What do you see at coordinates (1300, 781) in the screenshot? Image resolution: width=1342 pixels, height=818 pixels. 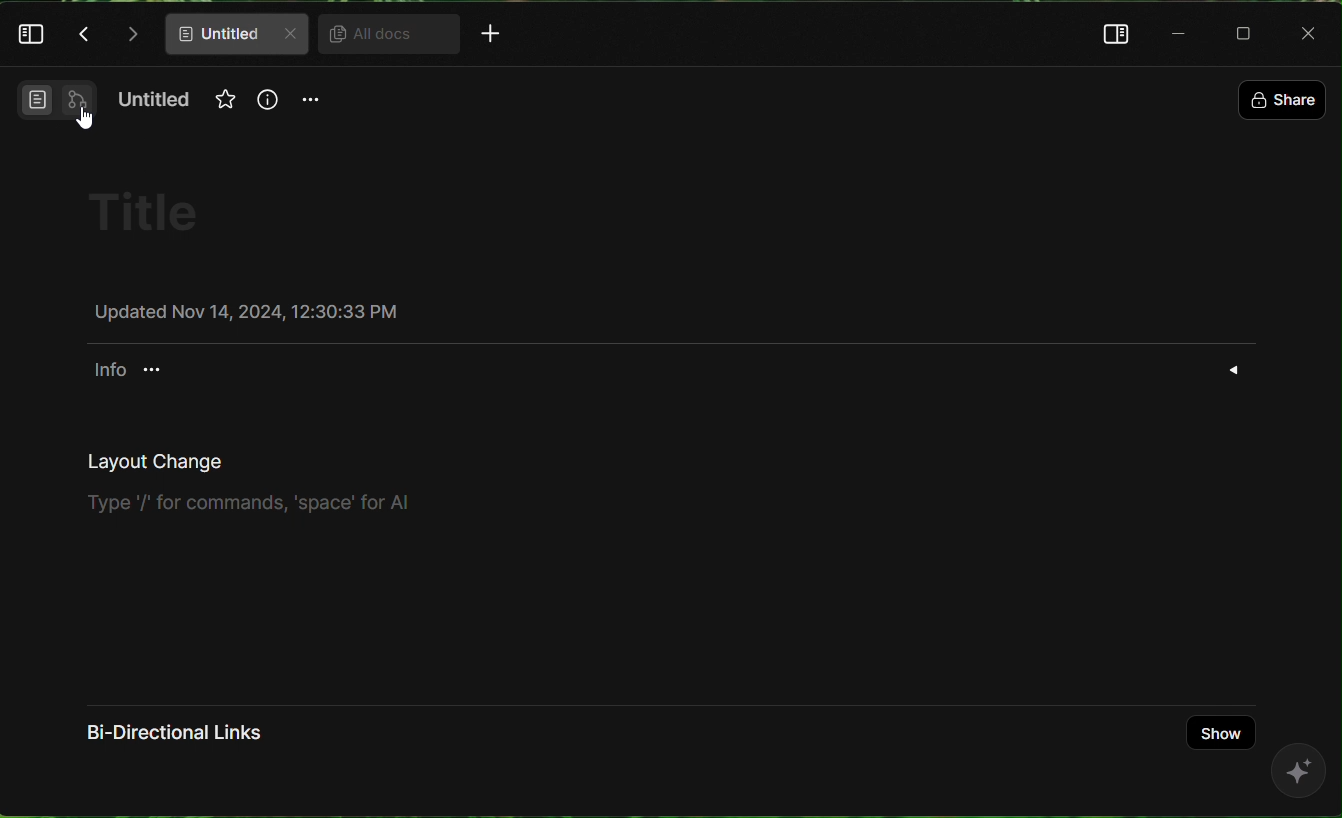 I see `AI` at bounding box center [1300, 781].